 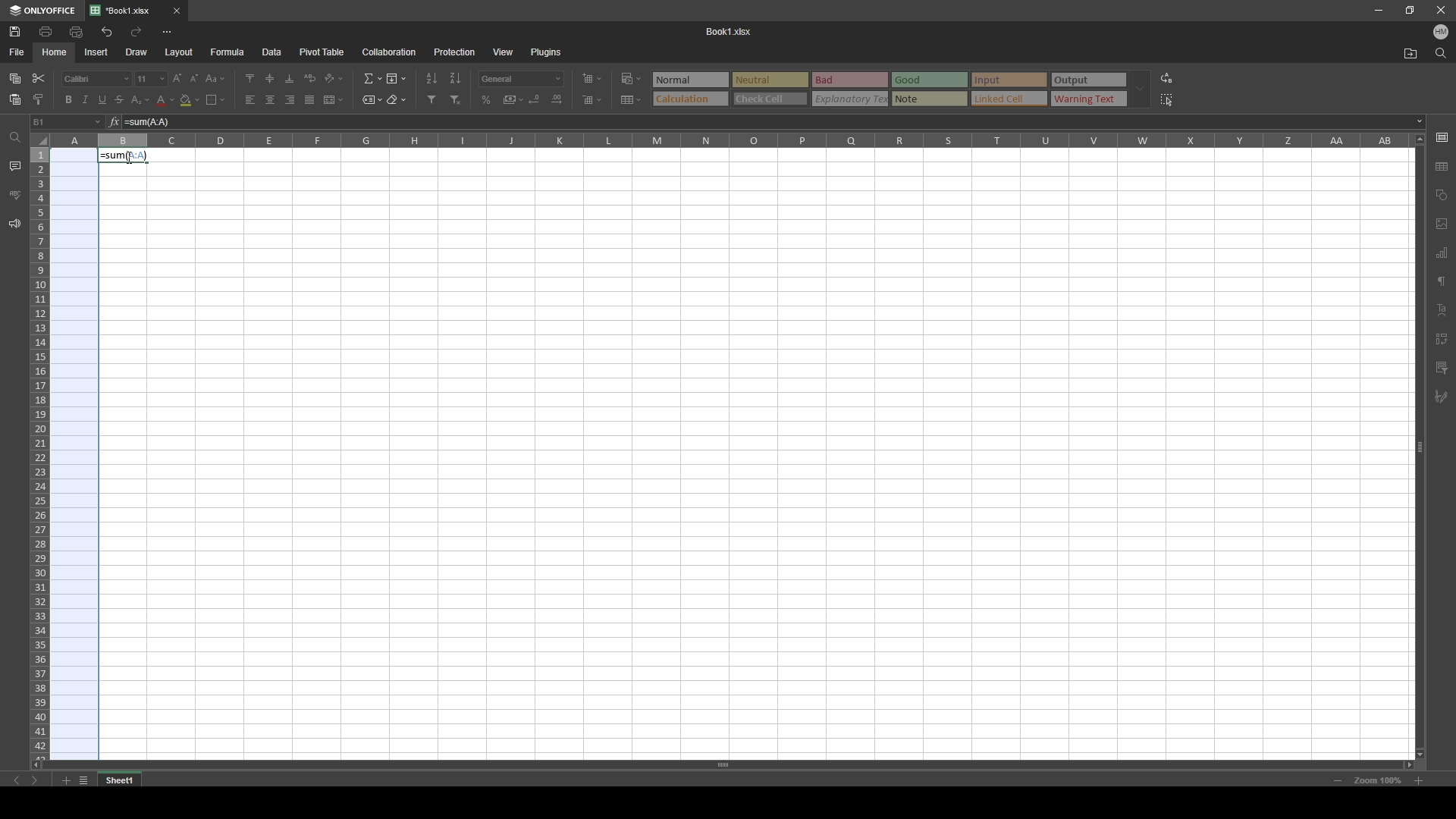 I want to click on select all, so click(x=1168, y=100).